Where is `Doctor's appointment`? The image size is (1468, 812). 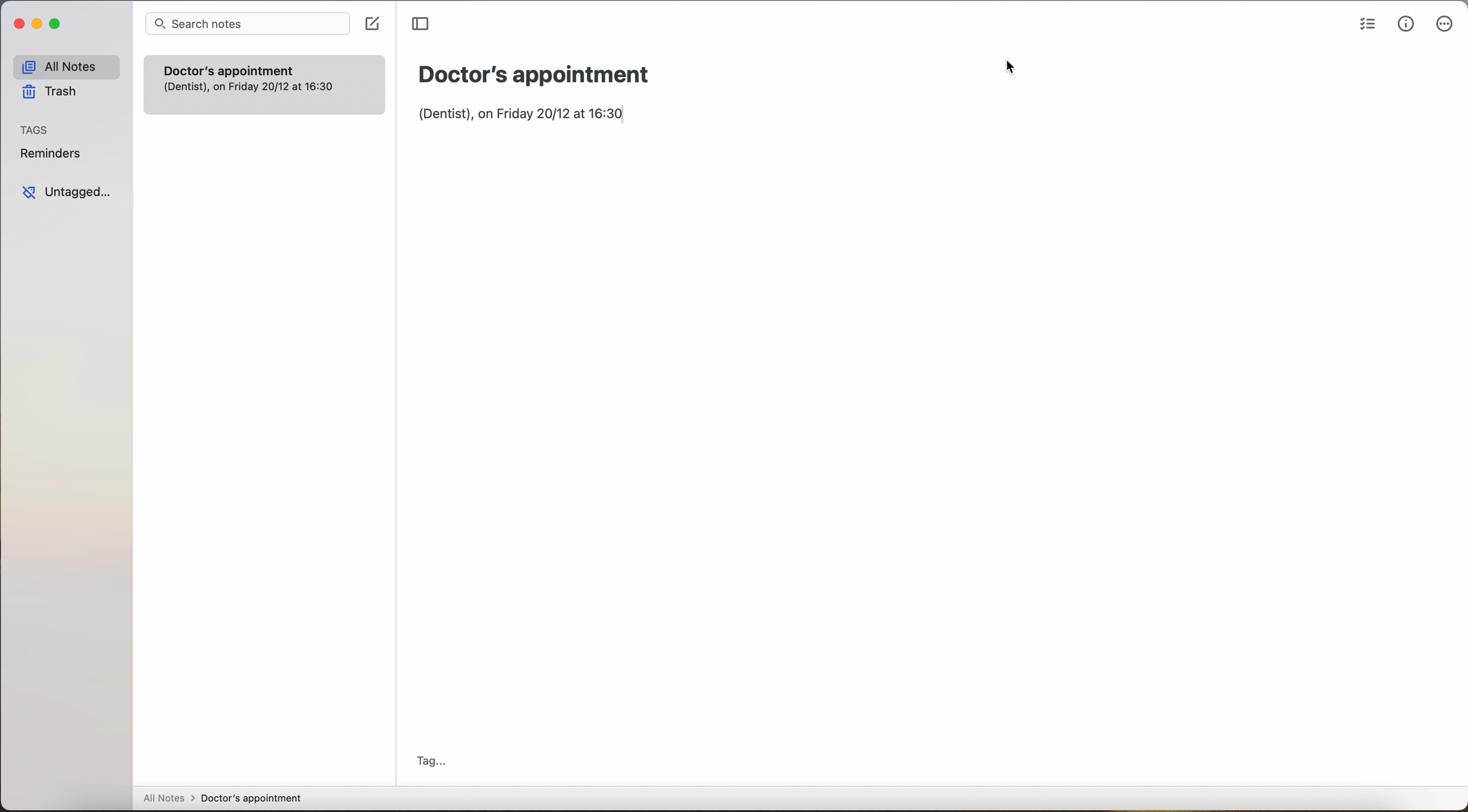
Doctor's appointment is located at coordinates (547, 72).